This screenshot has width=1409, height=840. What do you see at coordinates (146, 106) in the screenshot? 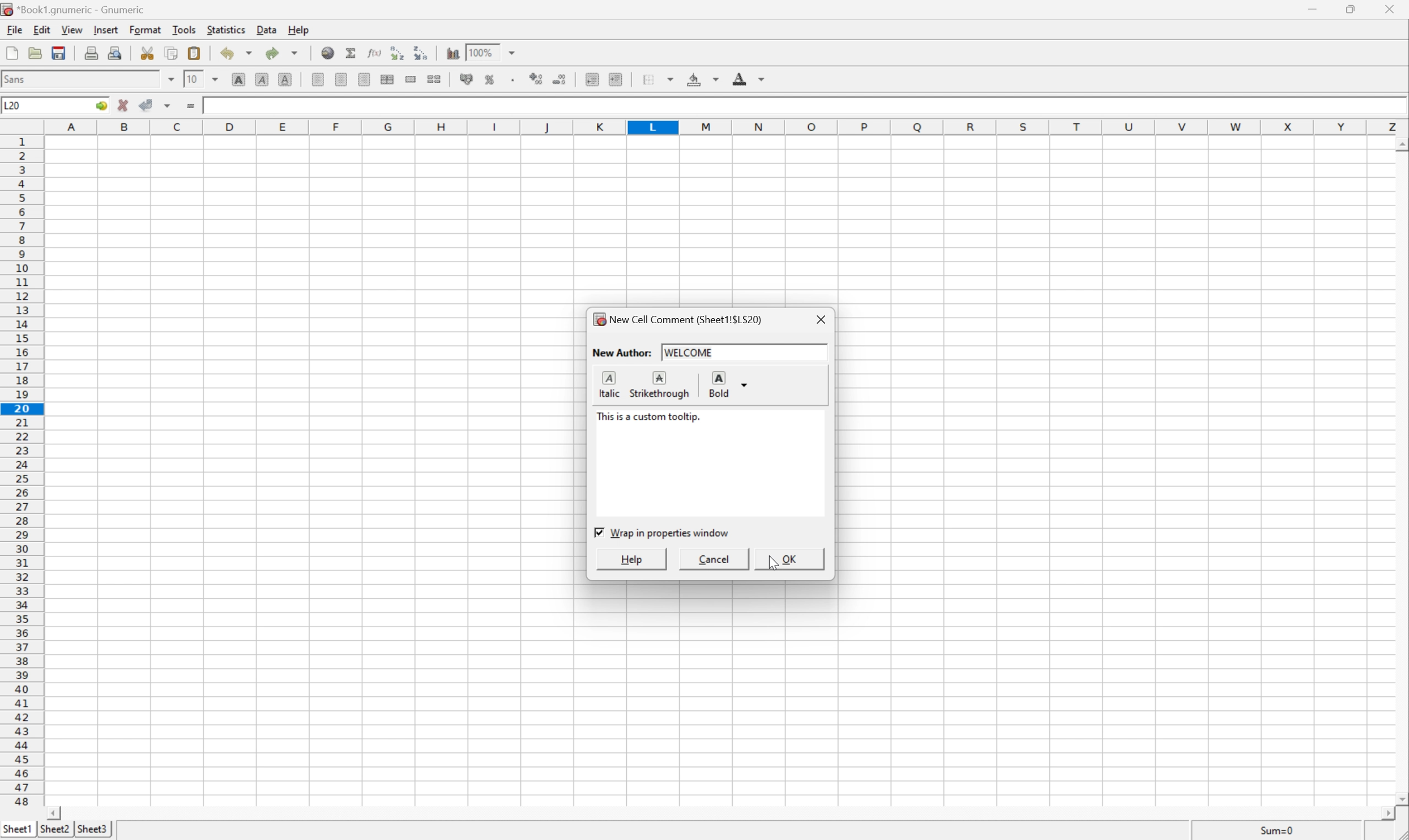
I see `Accept changes` at bounding box center [146, 106].